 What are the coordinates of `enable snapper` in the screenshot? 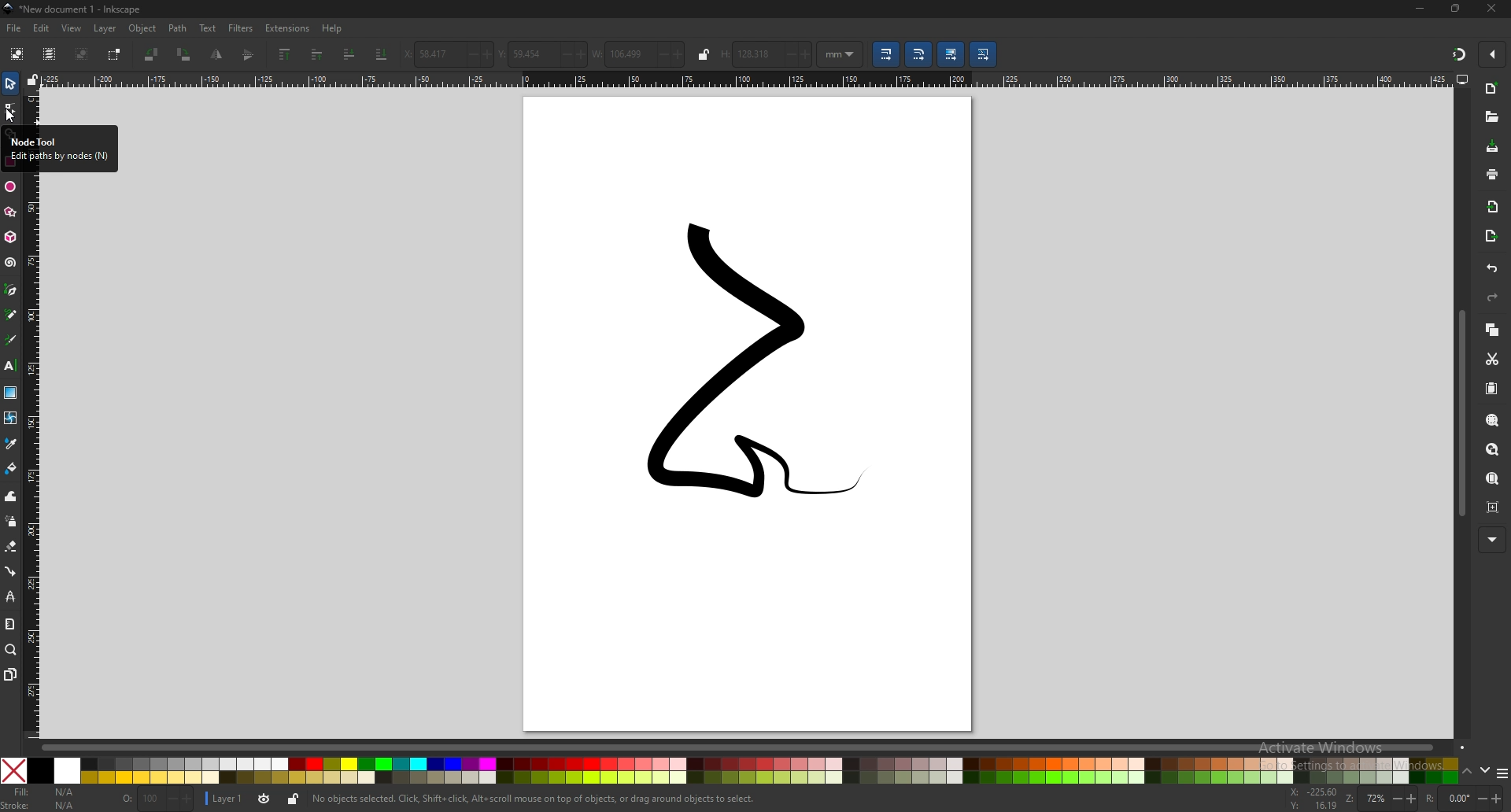 It's located at (1492, 55).